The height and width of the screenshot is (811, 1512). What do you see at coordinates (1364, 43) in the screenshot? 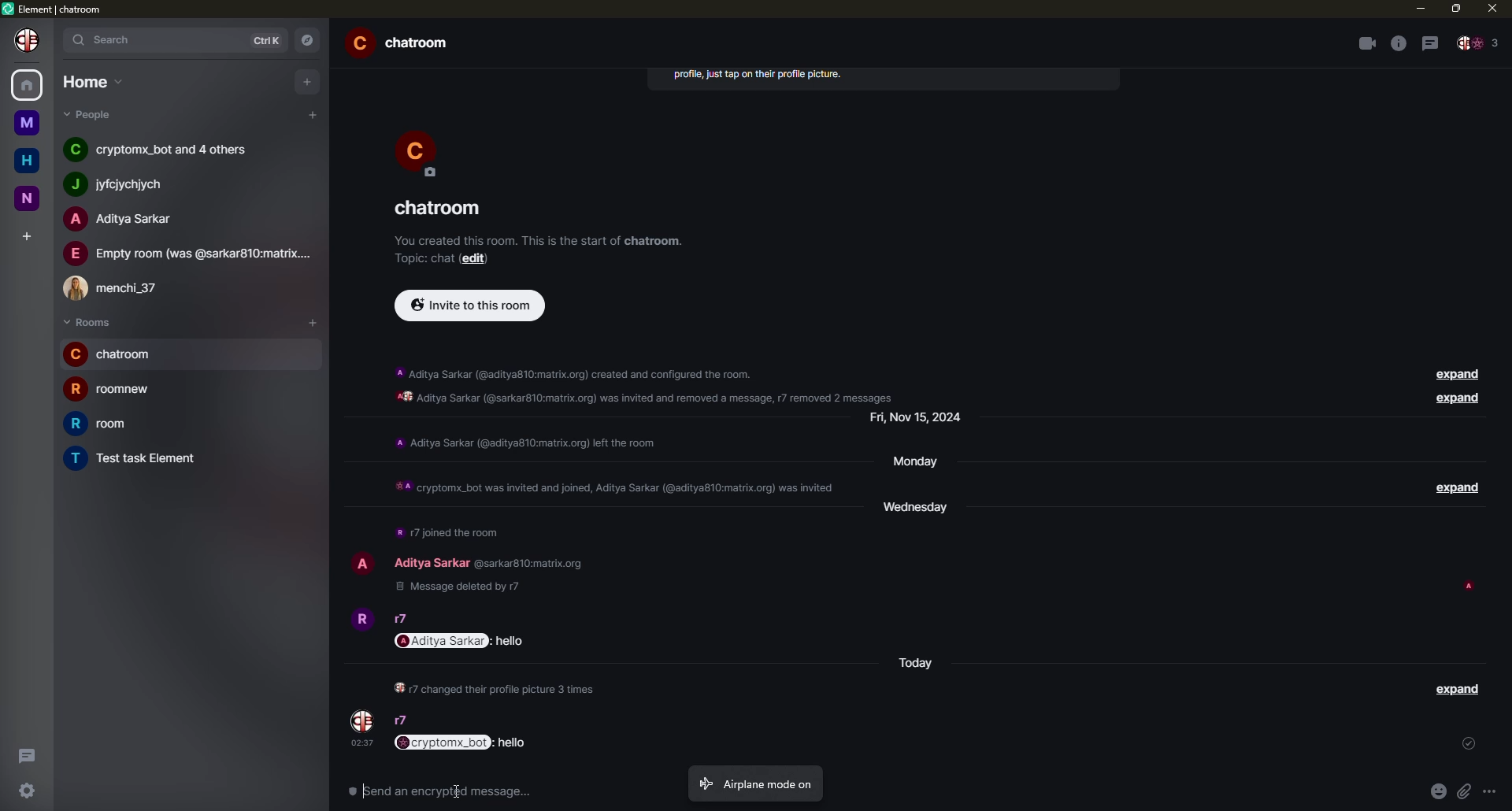
I see `video` at bounding box center [1364, 43].